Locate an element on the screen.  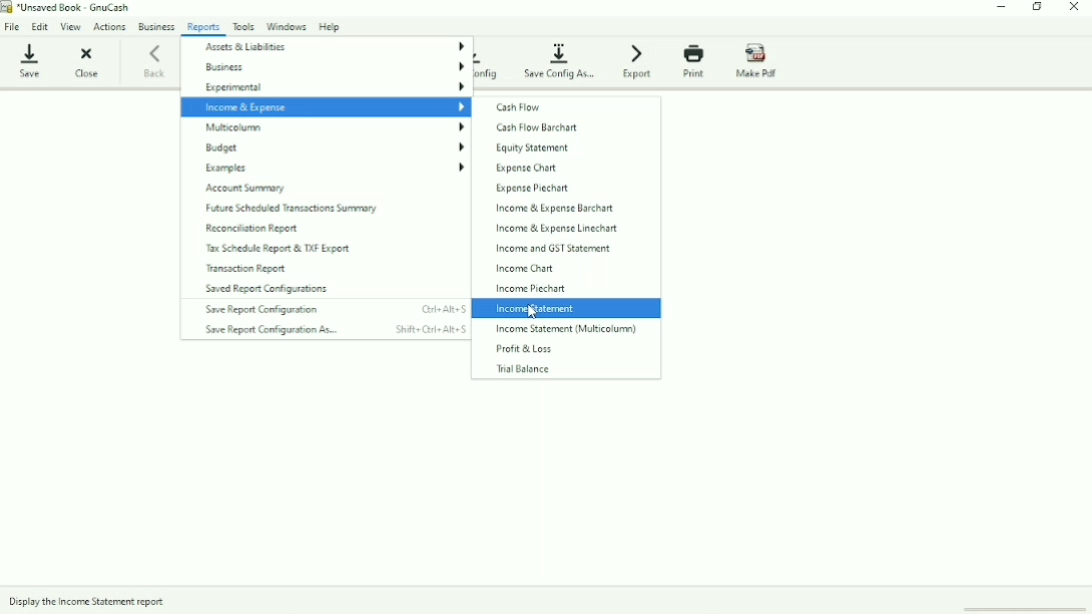
Income & Expense Barchart is located at coordinates (552, 208).